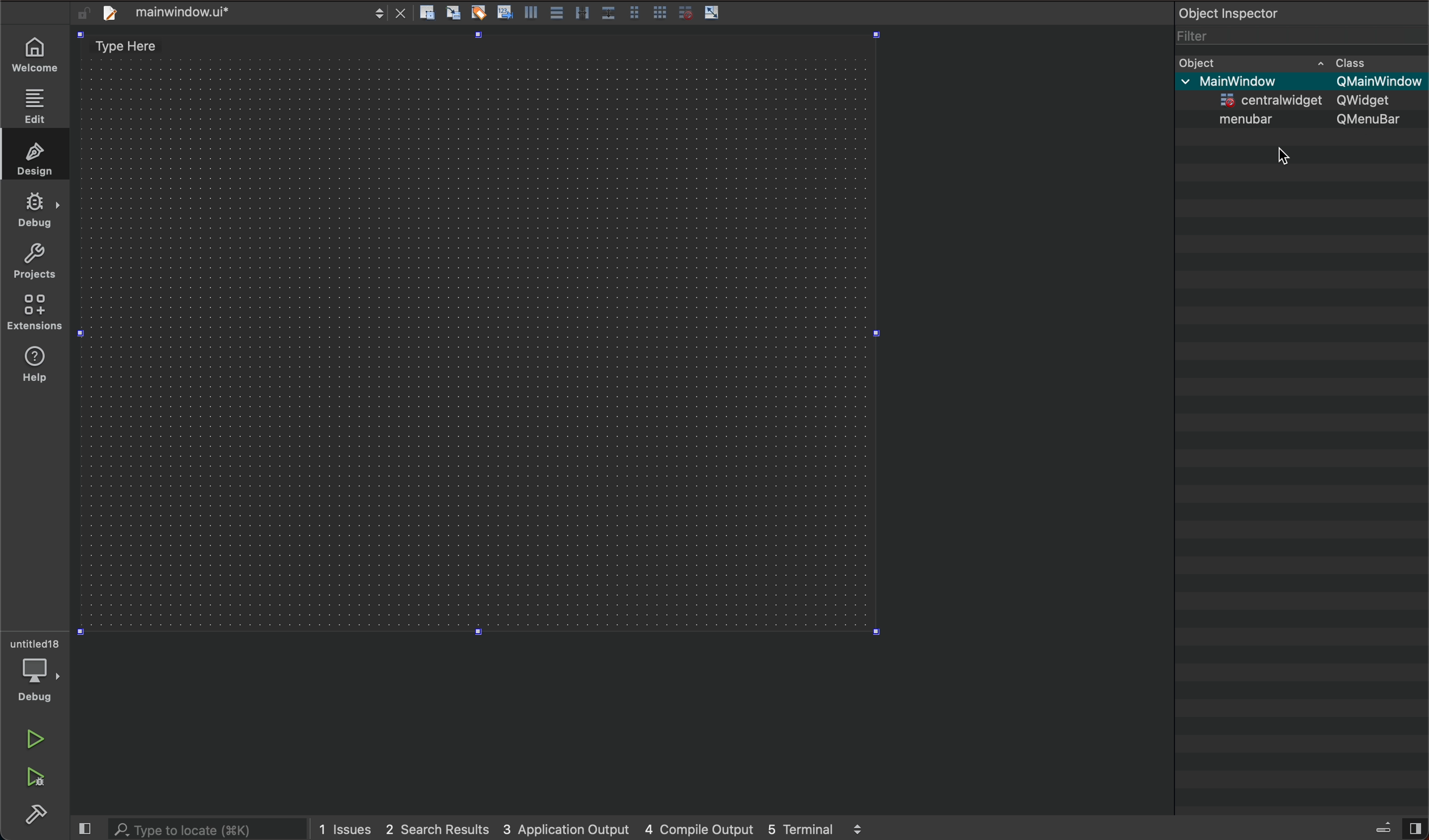 This screenshot has width=1429, height=840. Describe the element at coordinates (205, 829) in the screenshot. I see `search` at that location.